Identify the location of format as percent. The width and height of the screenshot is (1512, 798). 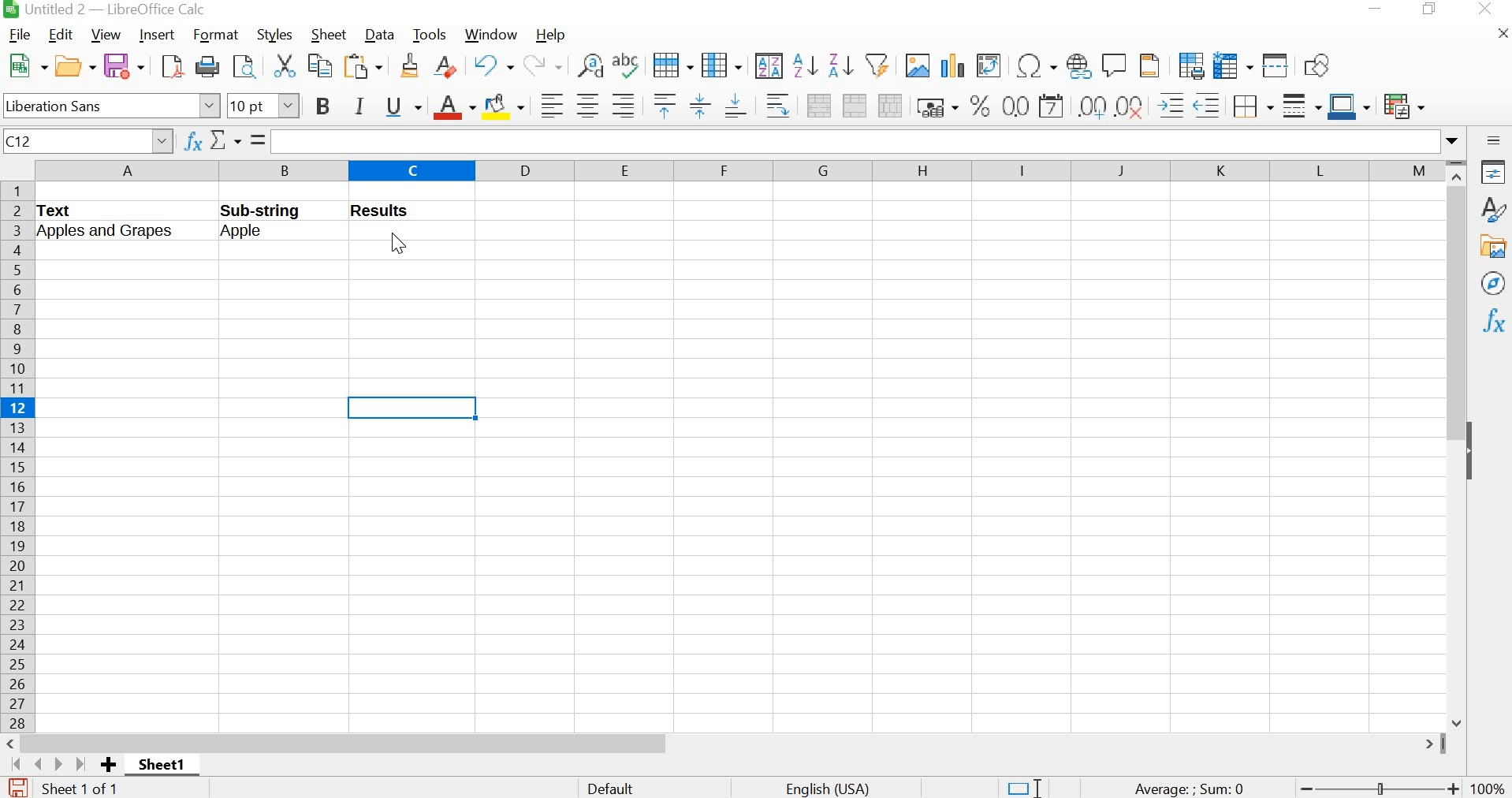
(978, 106).